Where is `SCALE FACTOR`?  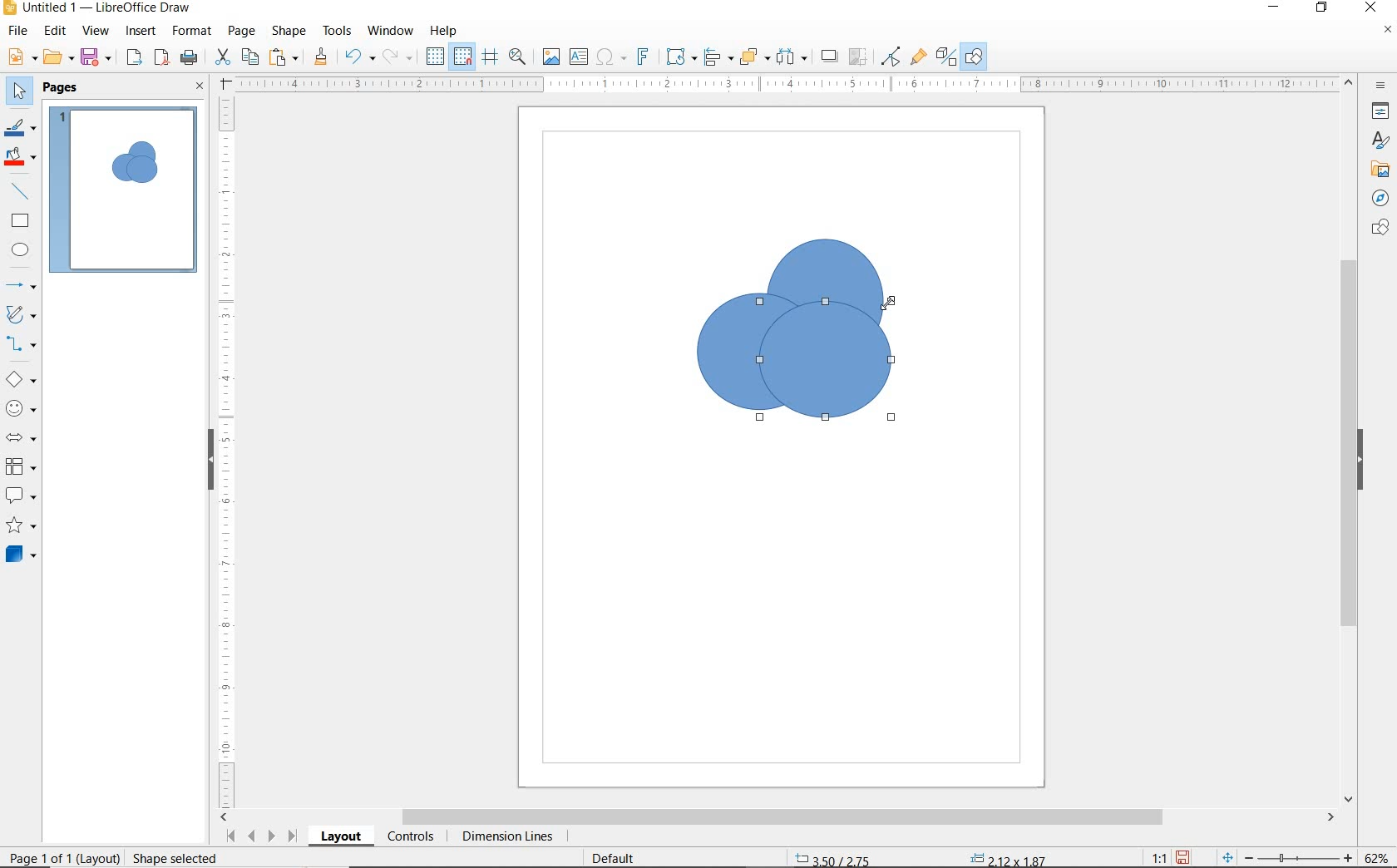
SCALE FACTOR is located at coordinates (1151, 857).